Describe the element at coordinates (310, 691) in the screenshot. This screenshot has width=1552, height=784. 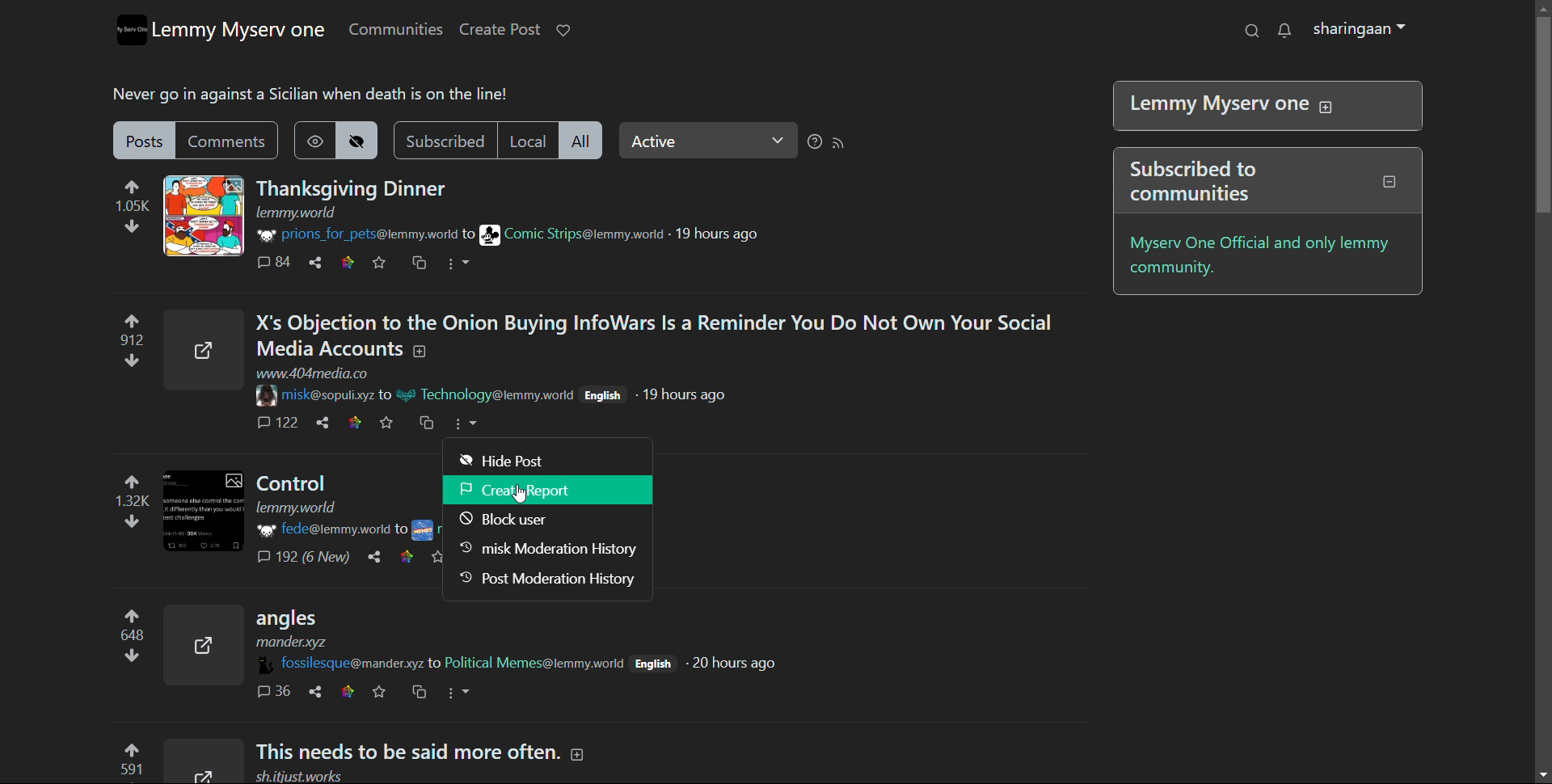
I see `share` at that location.